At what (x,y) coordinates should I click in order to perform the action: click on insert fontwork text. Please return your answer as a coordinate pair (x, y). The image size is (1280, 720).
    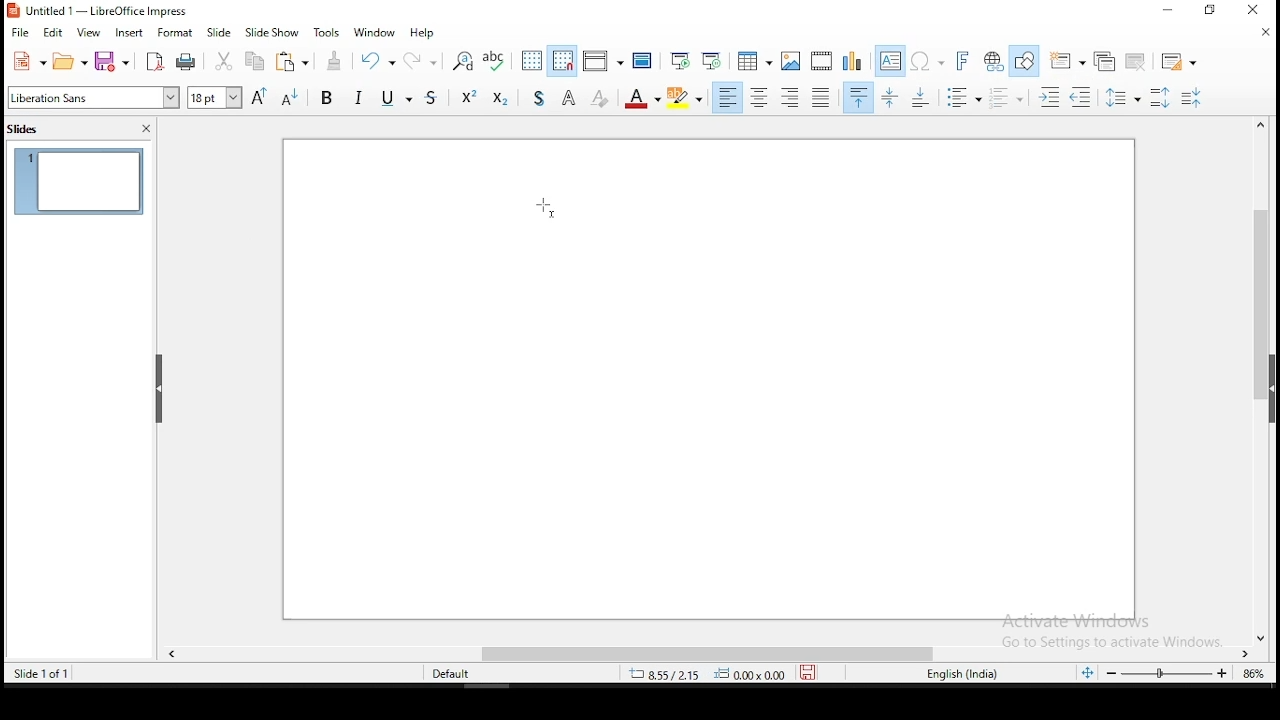
    Looking at the image, I should click on (962, 61).